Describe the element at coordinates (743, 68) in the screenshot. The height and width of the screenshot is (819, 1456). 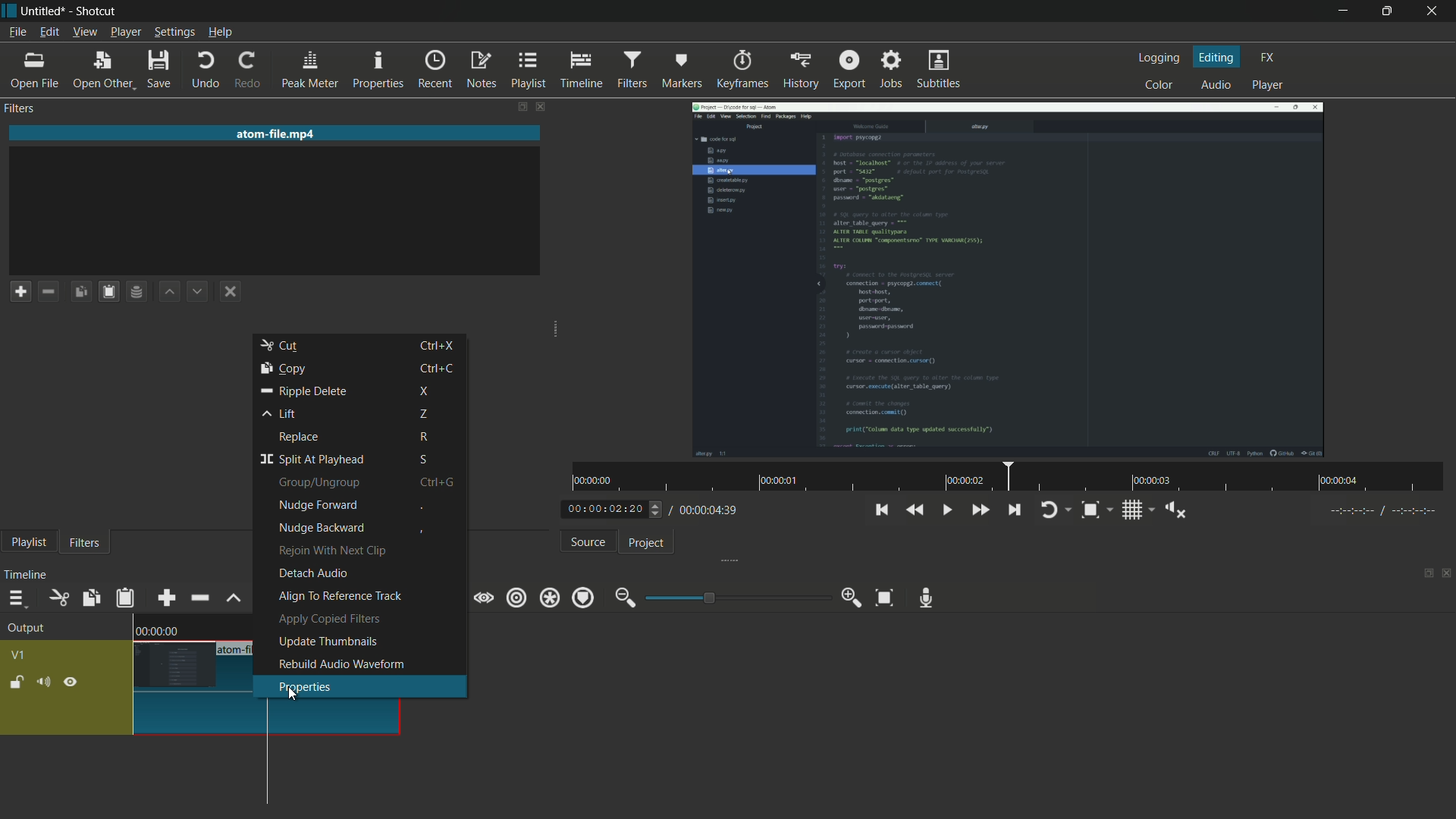
I see `keyframes` at that location.